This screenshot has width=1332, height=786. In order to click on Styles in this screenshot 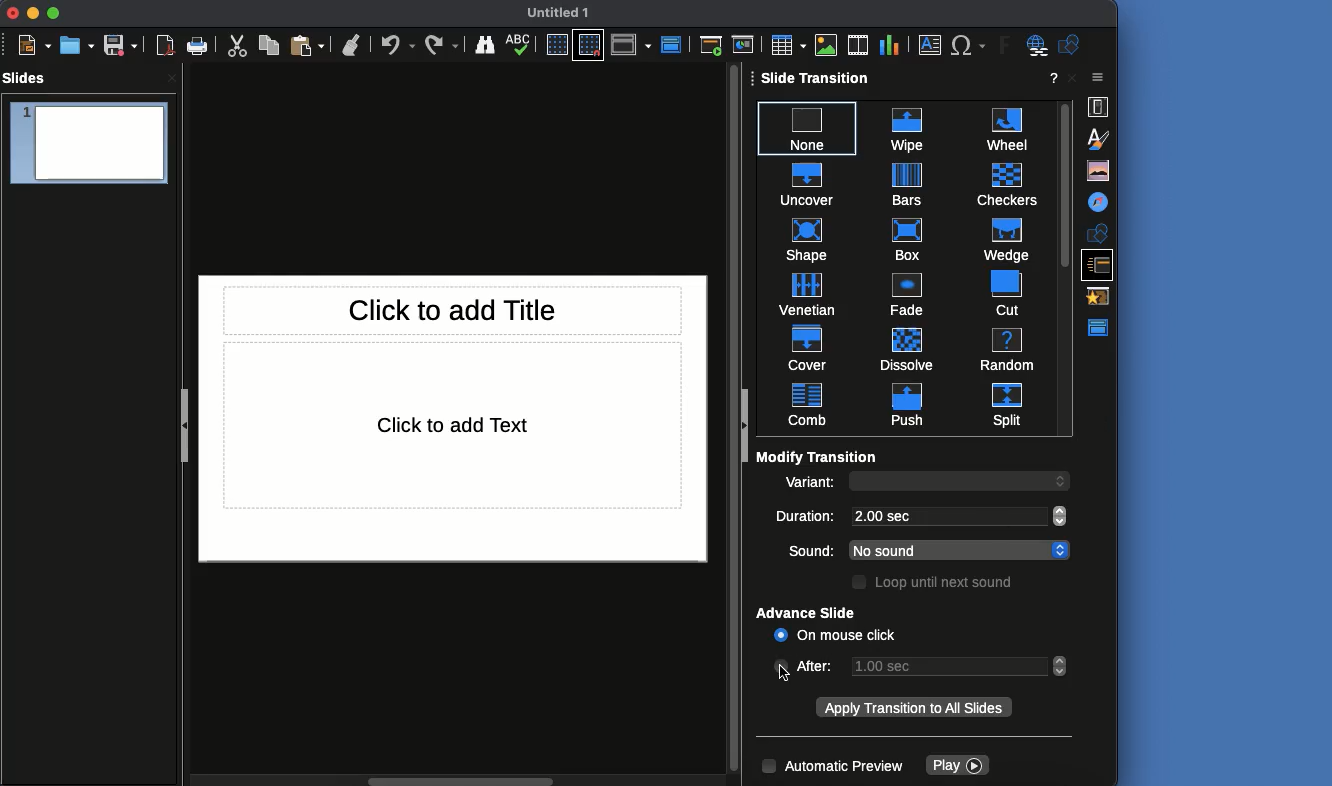, I will do `click(1096, 138)`.